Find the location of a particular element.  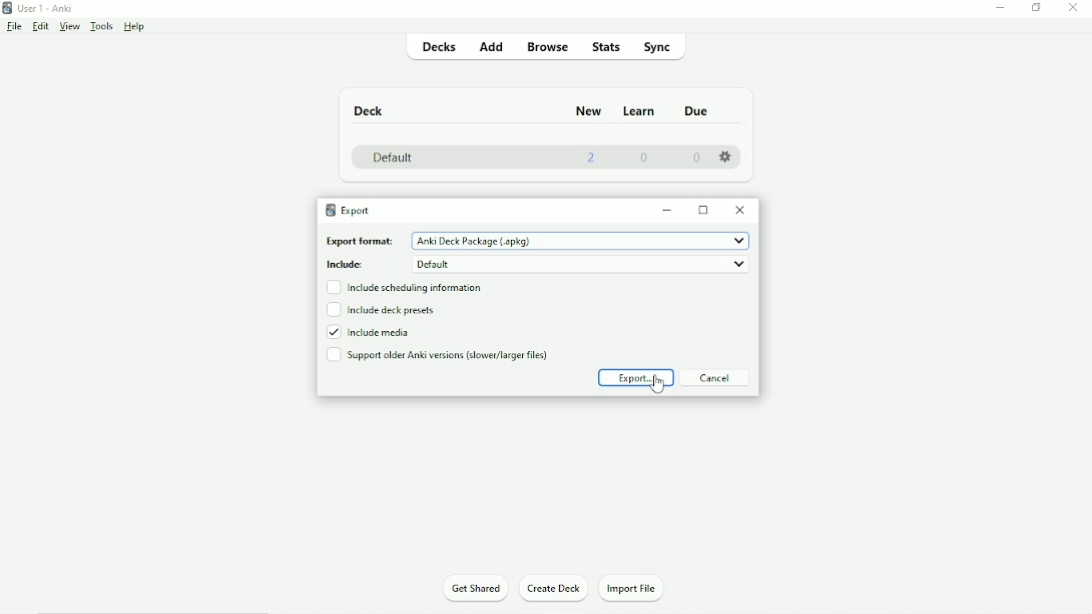

Include media is located at coordinates (371, 332).